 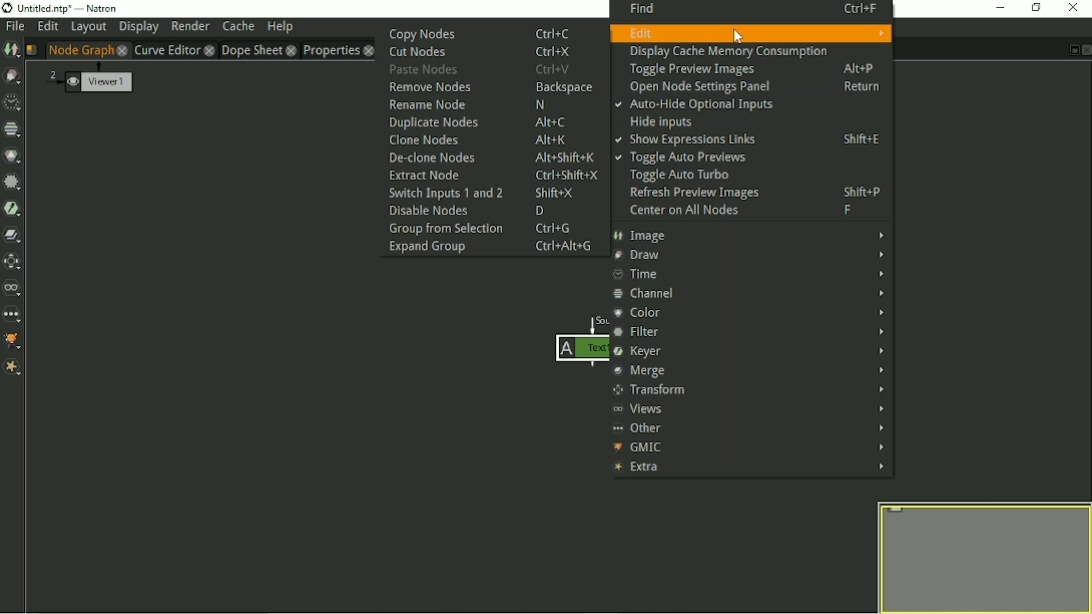 I want to click on Transform, so click(x=749, y=391).